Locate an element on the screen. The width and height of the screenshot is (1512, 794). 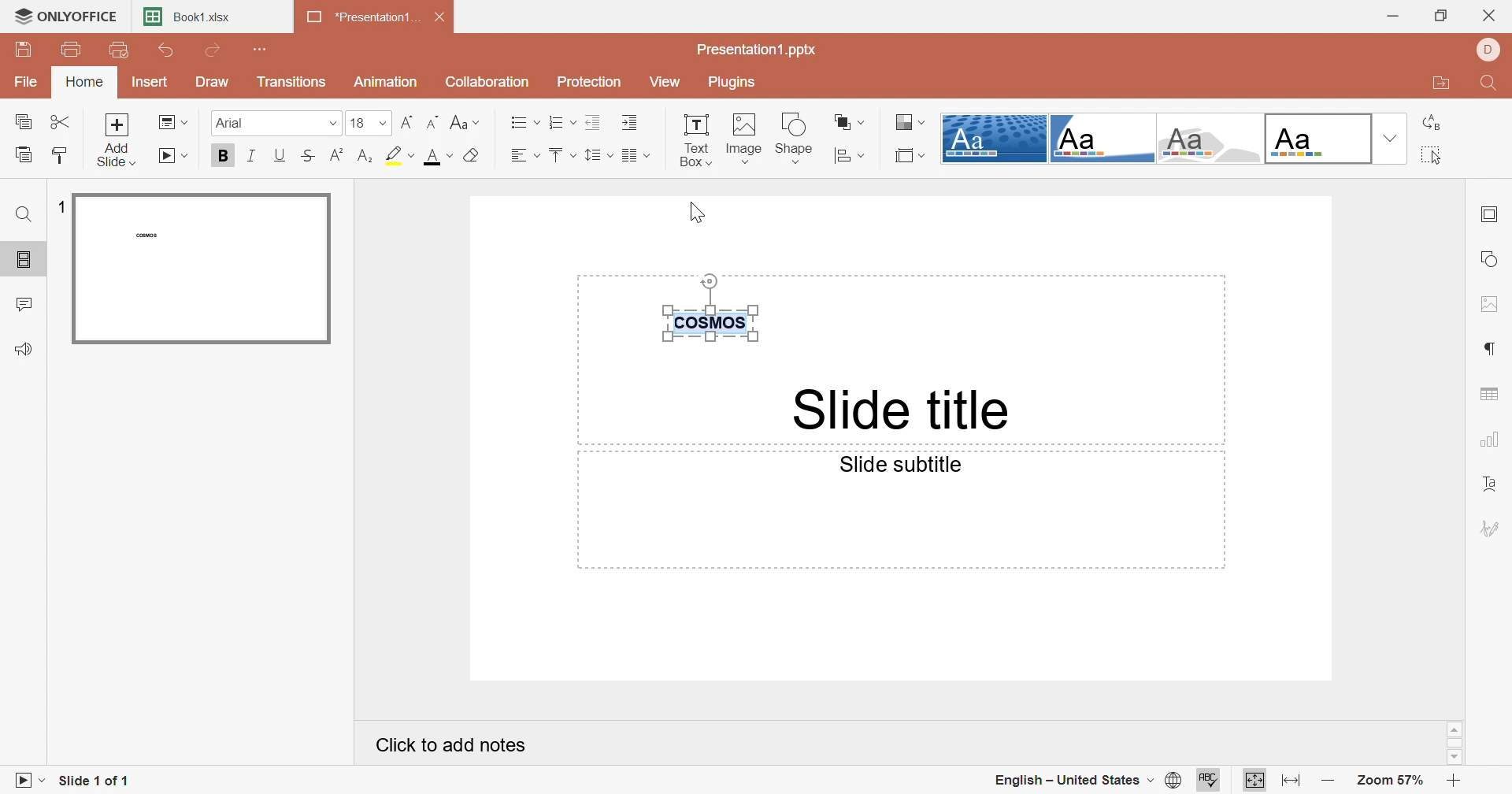
Cursor is located at coordinates (694, 213).